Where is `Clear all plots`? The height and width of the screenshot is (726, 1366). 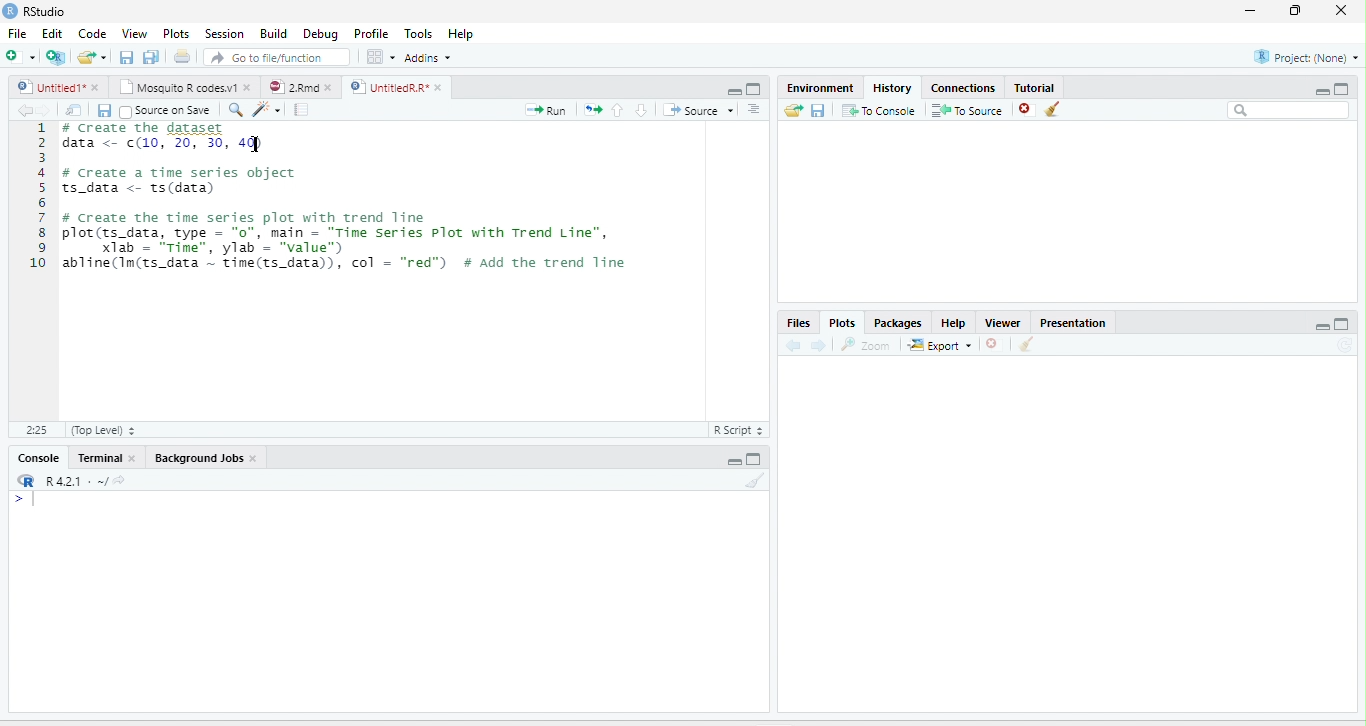 Clear all plots is located at coordinates (1027, 344).